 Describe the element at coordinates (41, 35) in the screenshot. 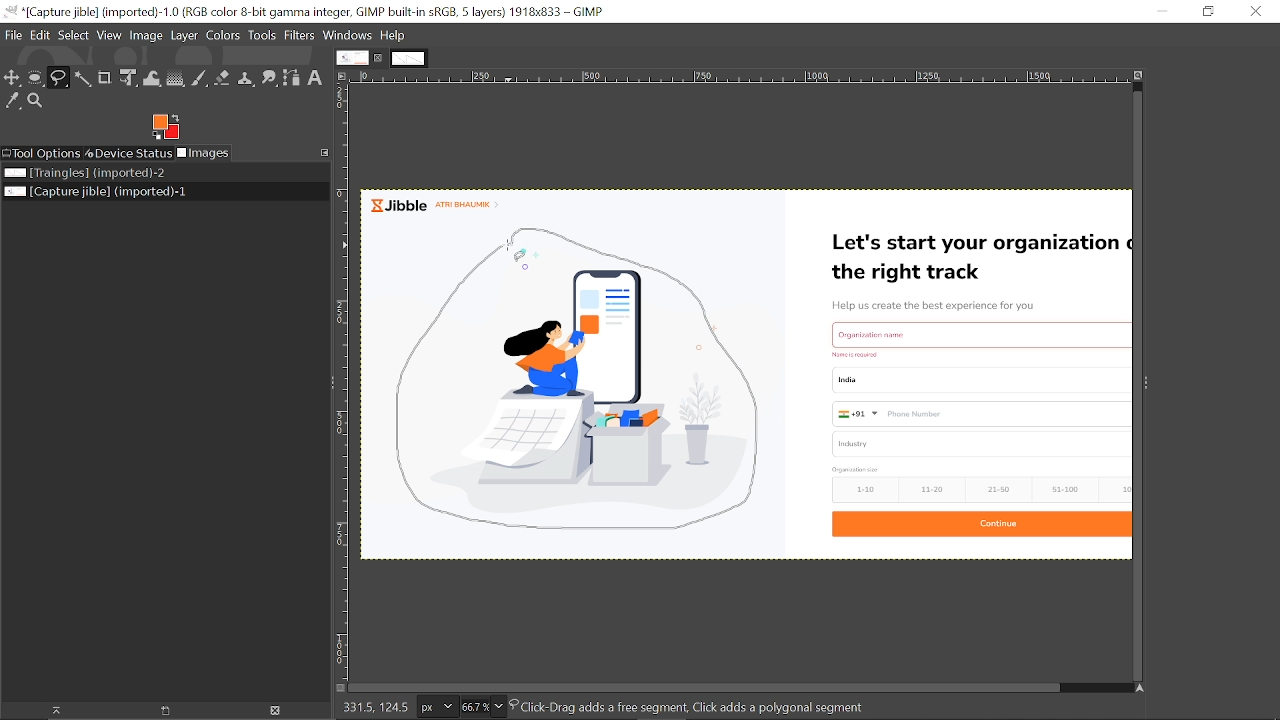

I see `Edit` at that location.